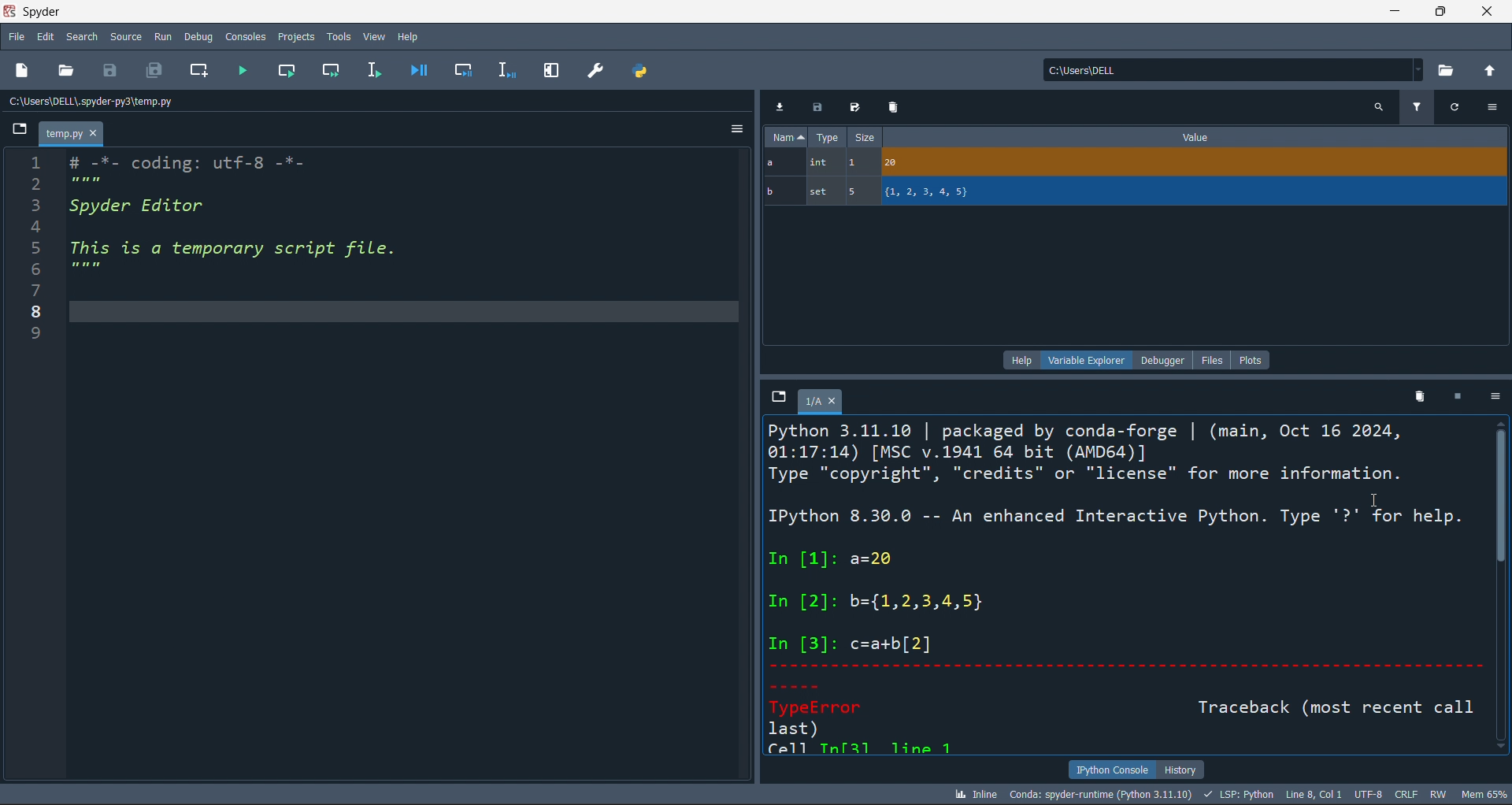  Describe the element at coordinates (1437, 794) in the screenshot. I see `rw` at that location.